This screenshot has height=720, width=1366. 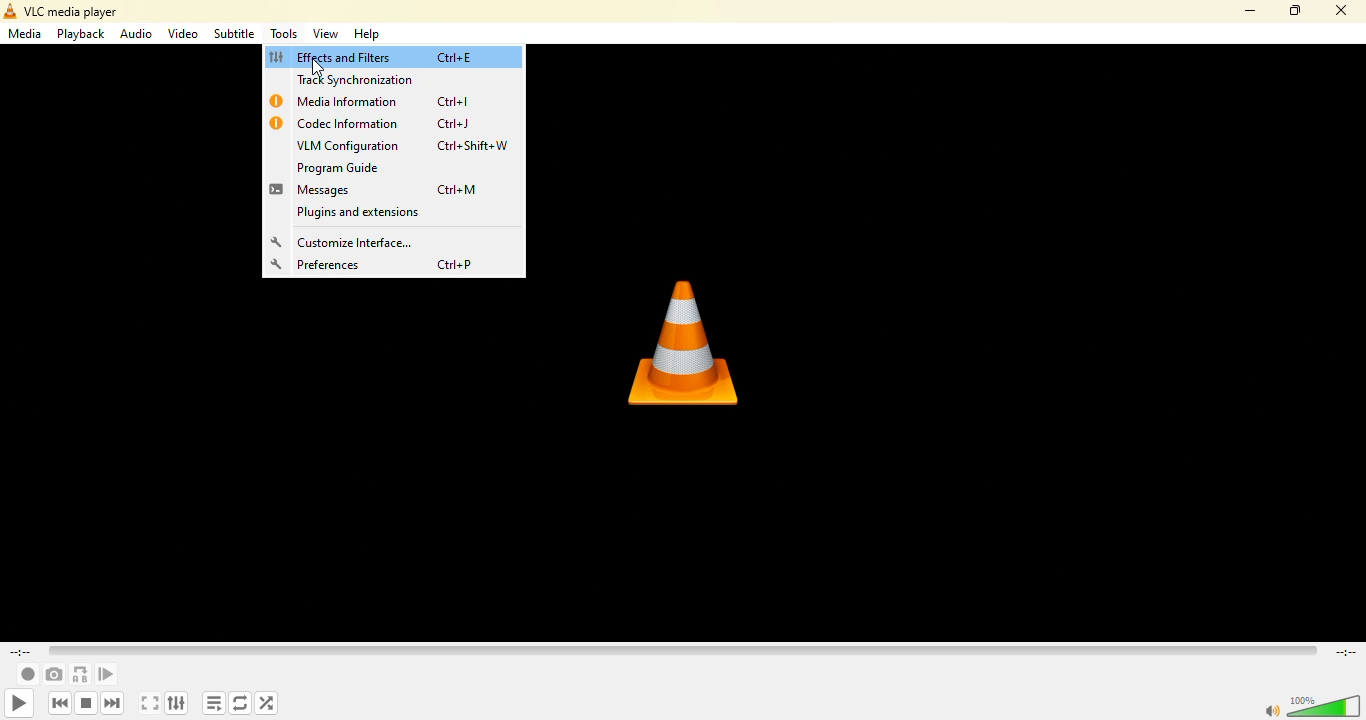 What do you see at coordinates (1327, 706) in the screenshot?
I see `volume adjust 100%` at bounding box center [1327, 706].